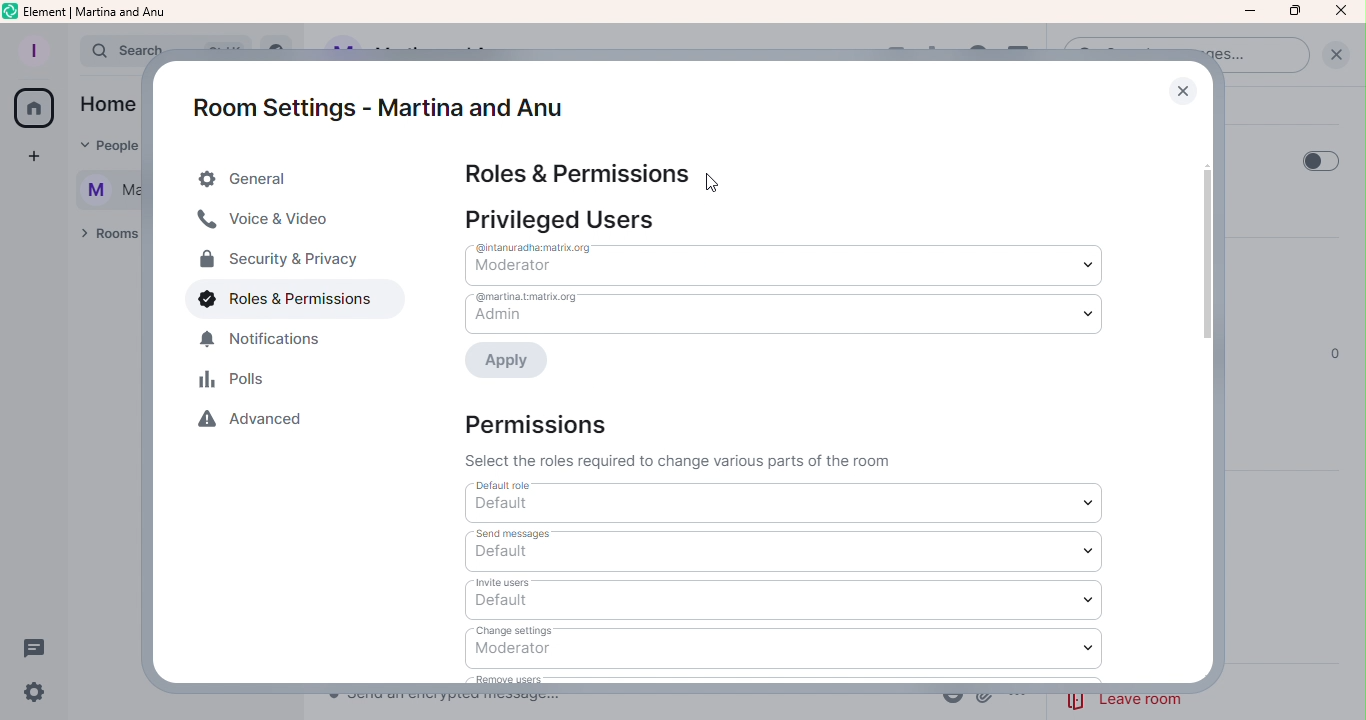  Describe the element at coordinates (37, 692) in the screenshot. I see `Settings` at that location.